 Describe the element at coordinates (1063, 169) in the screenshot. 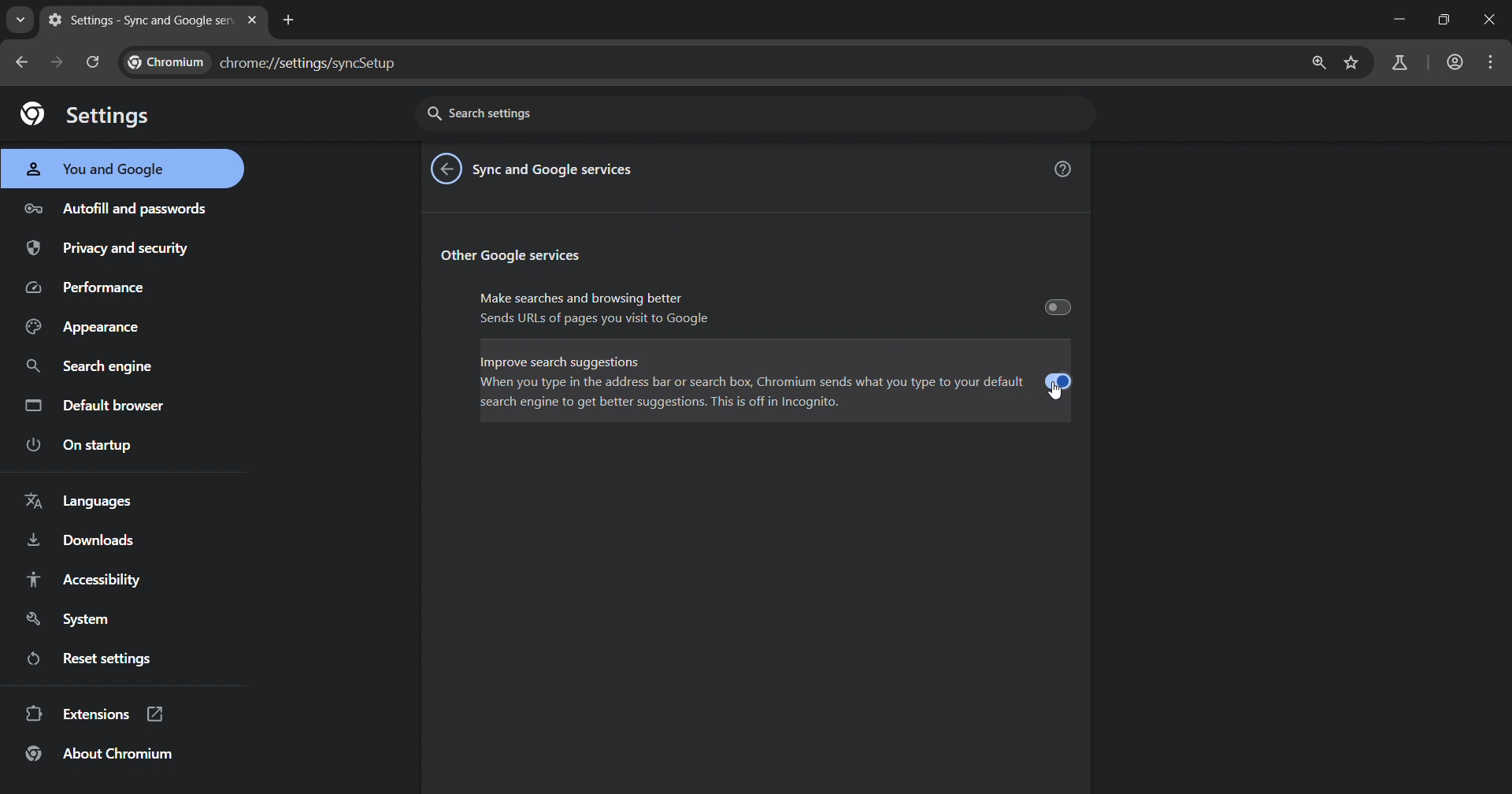

I see `help` at that location.